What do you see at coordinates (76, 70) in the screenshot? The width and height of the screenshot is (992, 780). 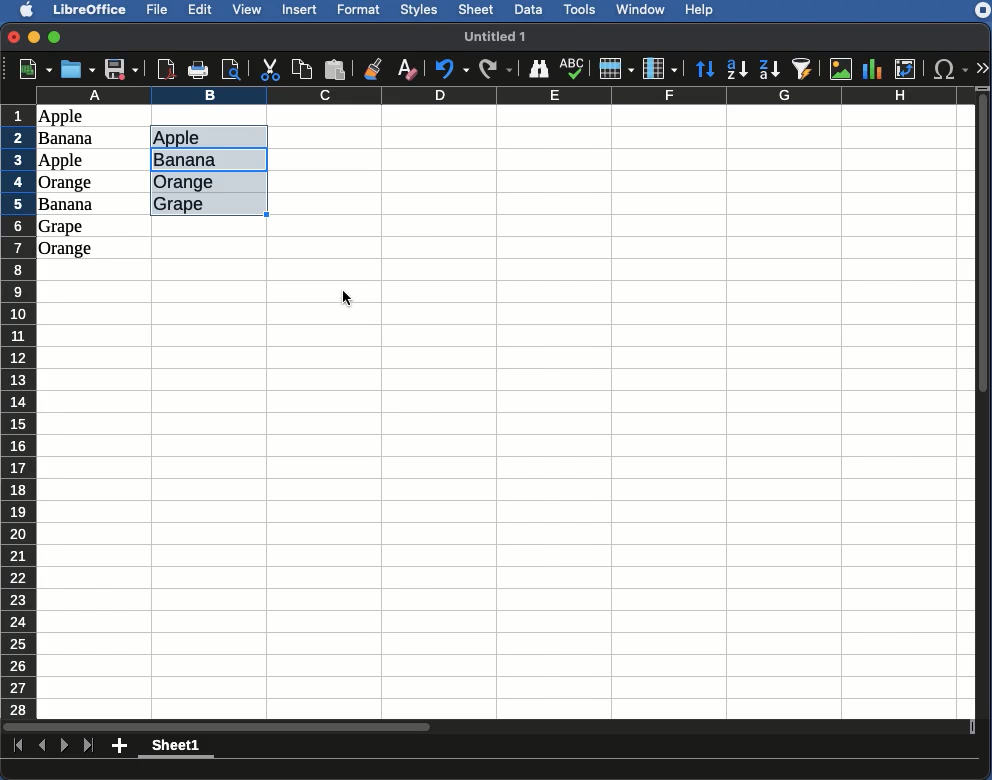 I see `Open` at bounding box center [76, 70].